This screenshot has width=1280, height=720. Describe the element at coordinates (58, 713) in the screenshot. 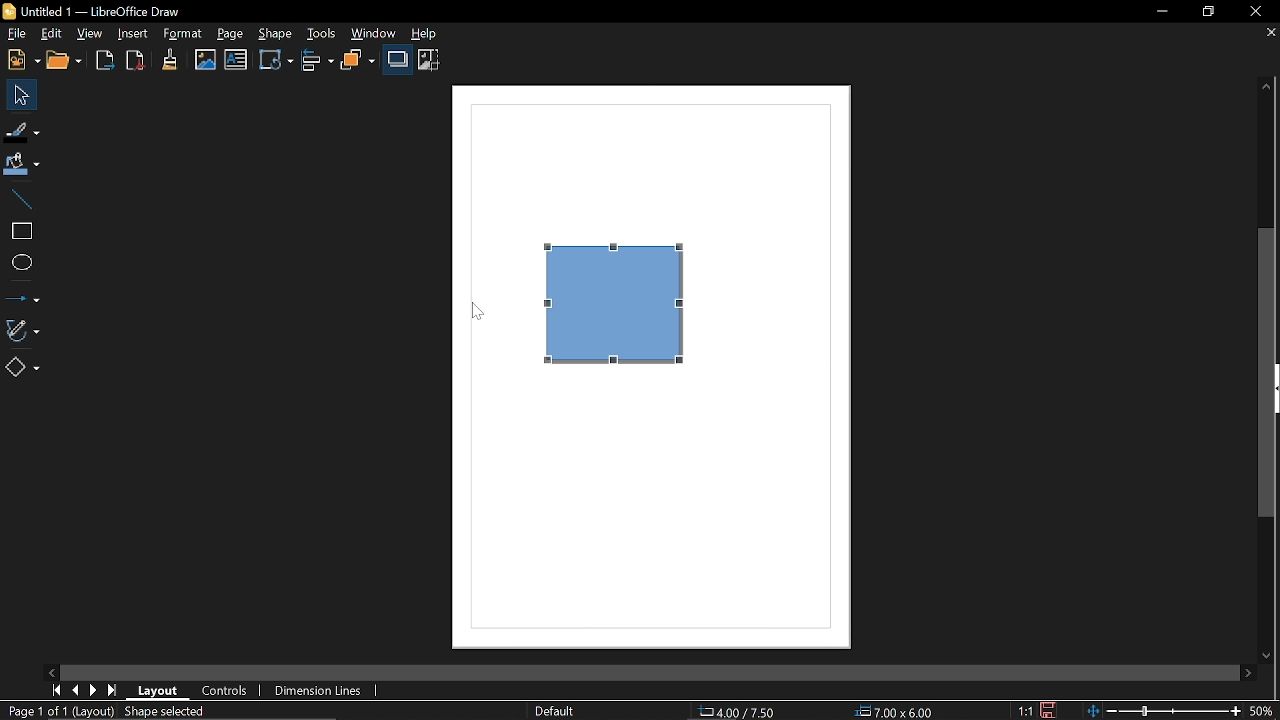

I see `Current page` at that location.